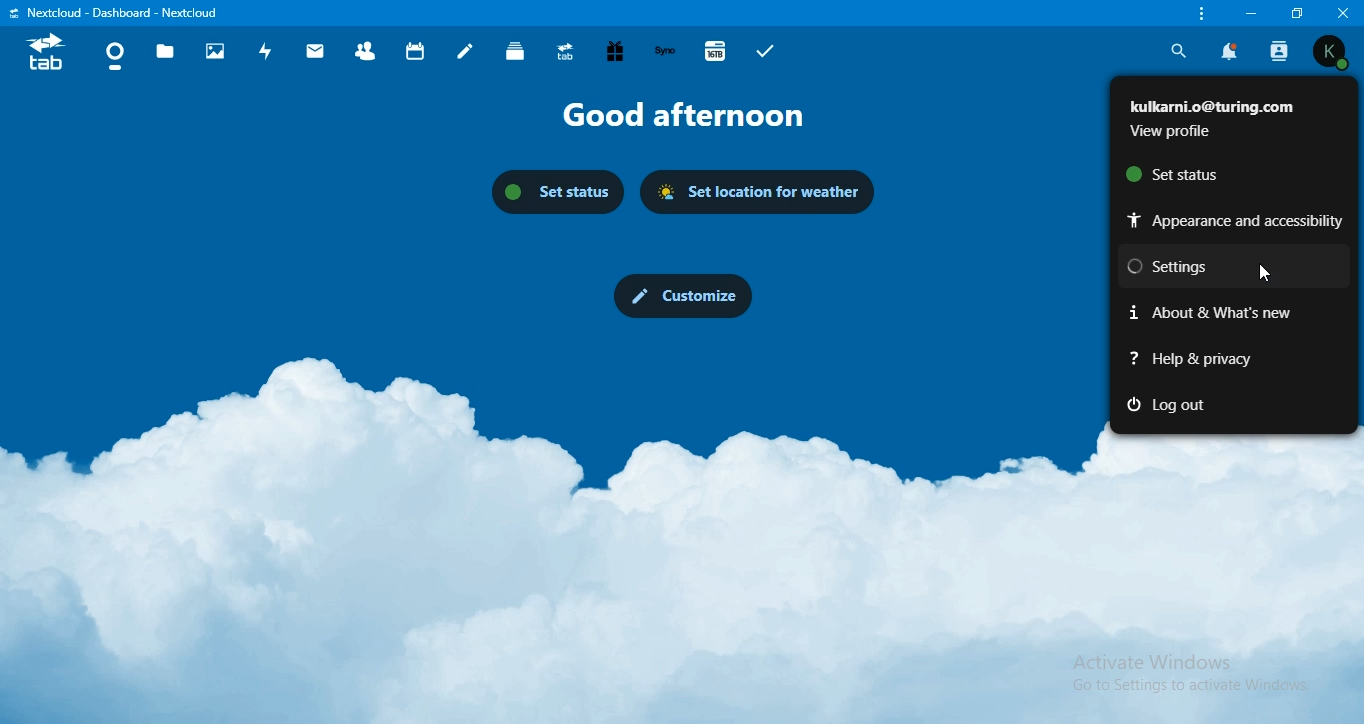 The width and height of the screenshot is (1364, 724). Describe the element at coordinates (517, 51) in the screenshot. I see `deck` at that location.